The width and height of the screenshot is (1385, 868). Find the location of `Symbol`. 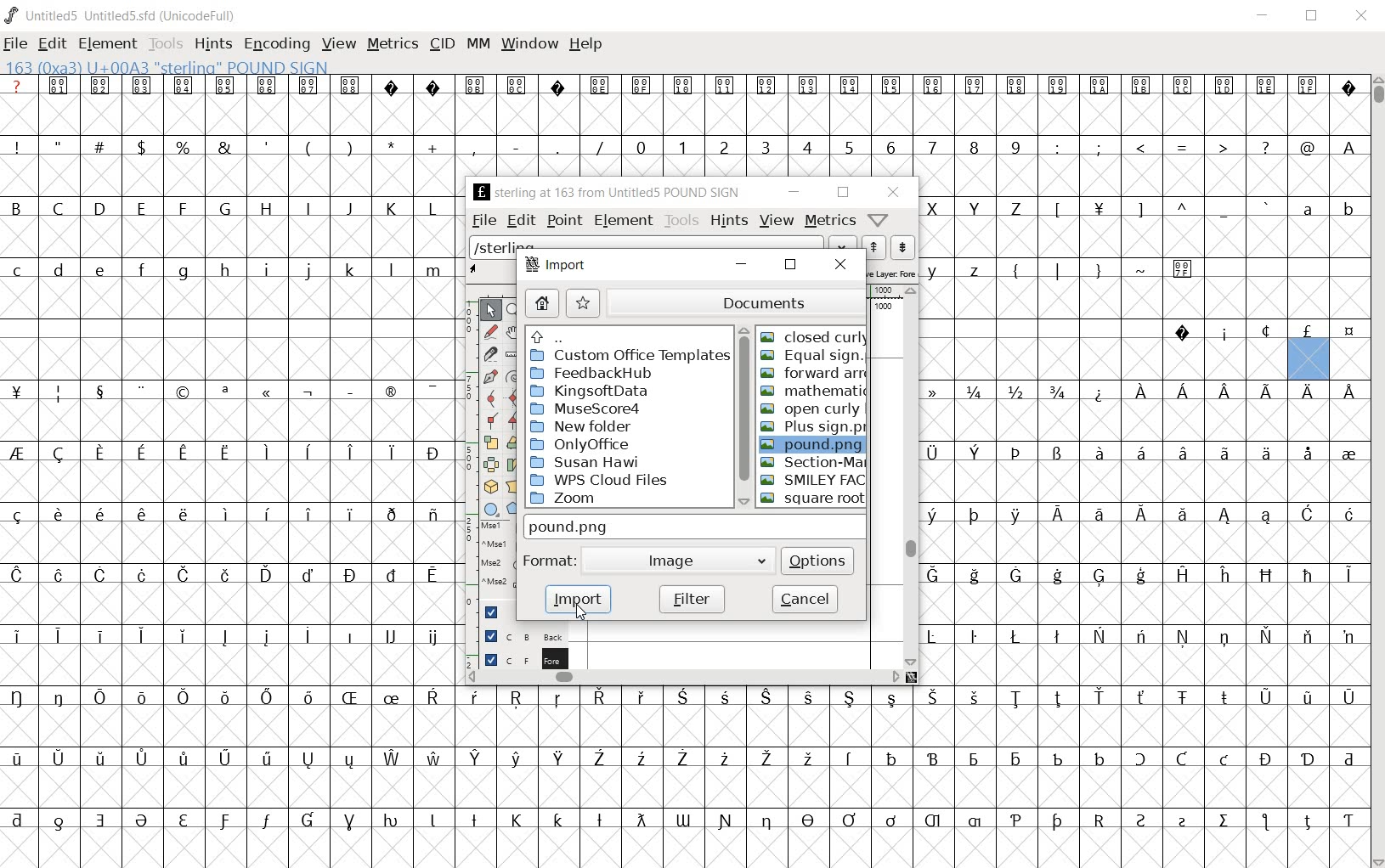

Symbol is located at coordinates (1266, 823).